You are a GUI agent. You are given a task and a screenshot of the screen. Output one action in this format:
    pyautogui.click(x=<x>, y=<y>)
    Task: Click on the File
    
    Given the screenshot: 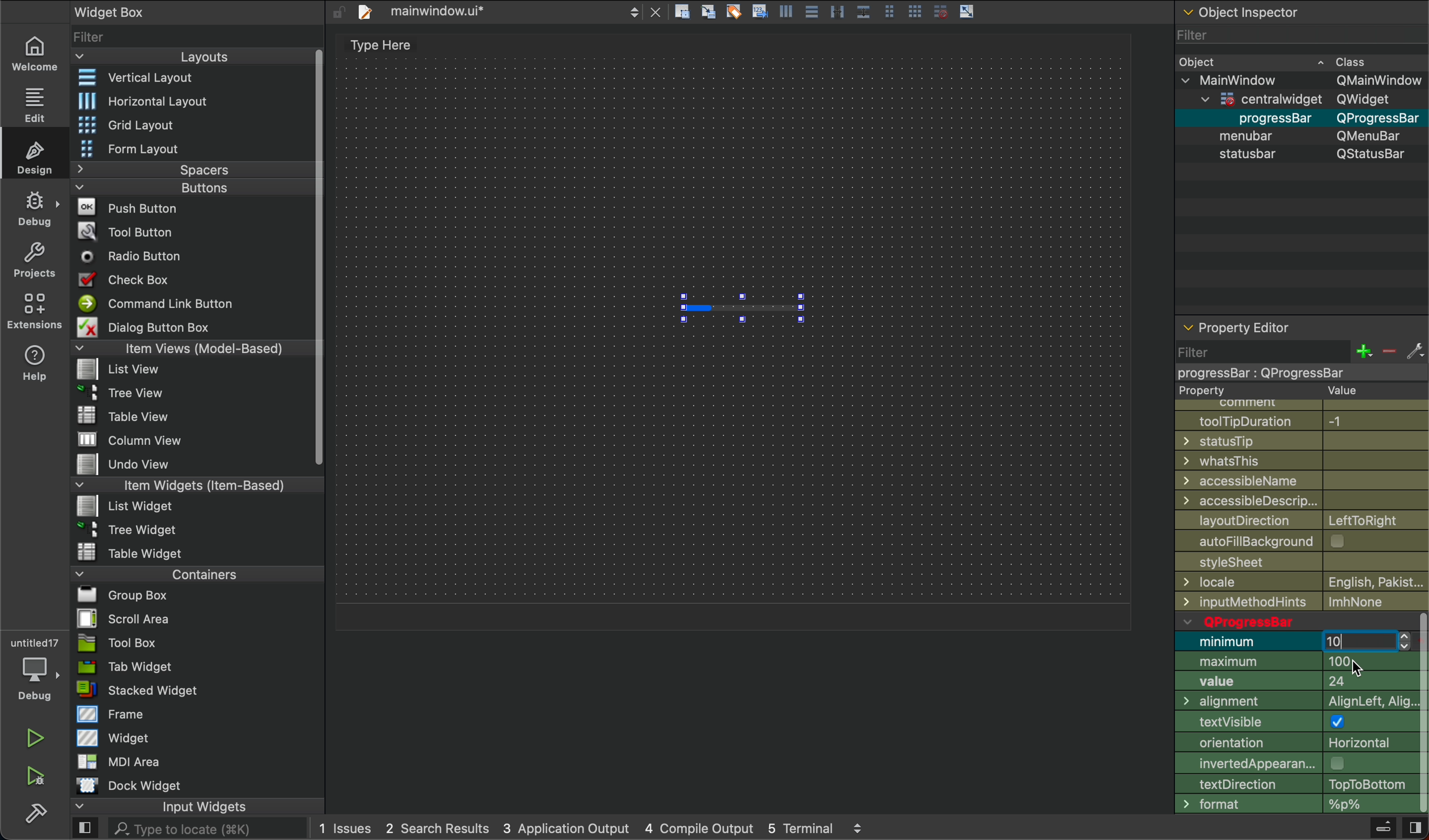 What is the action you would take?
    pyautogui.click(x=121, y=391)
    